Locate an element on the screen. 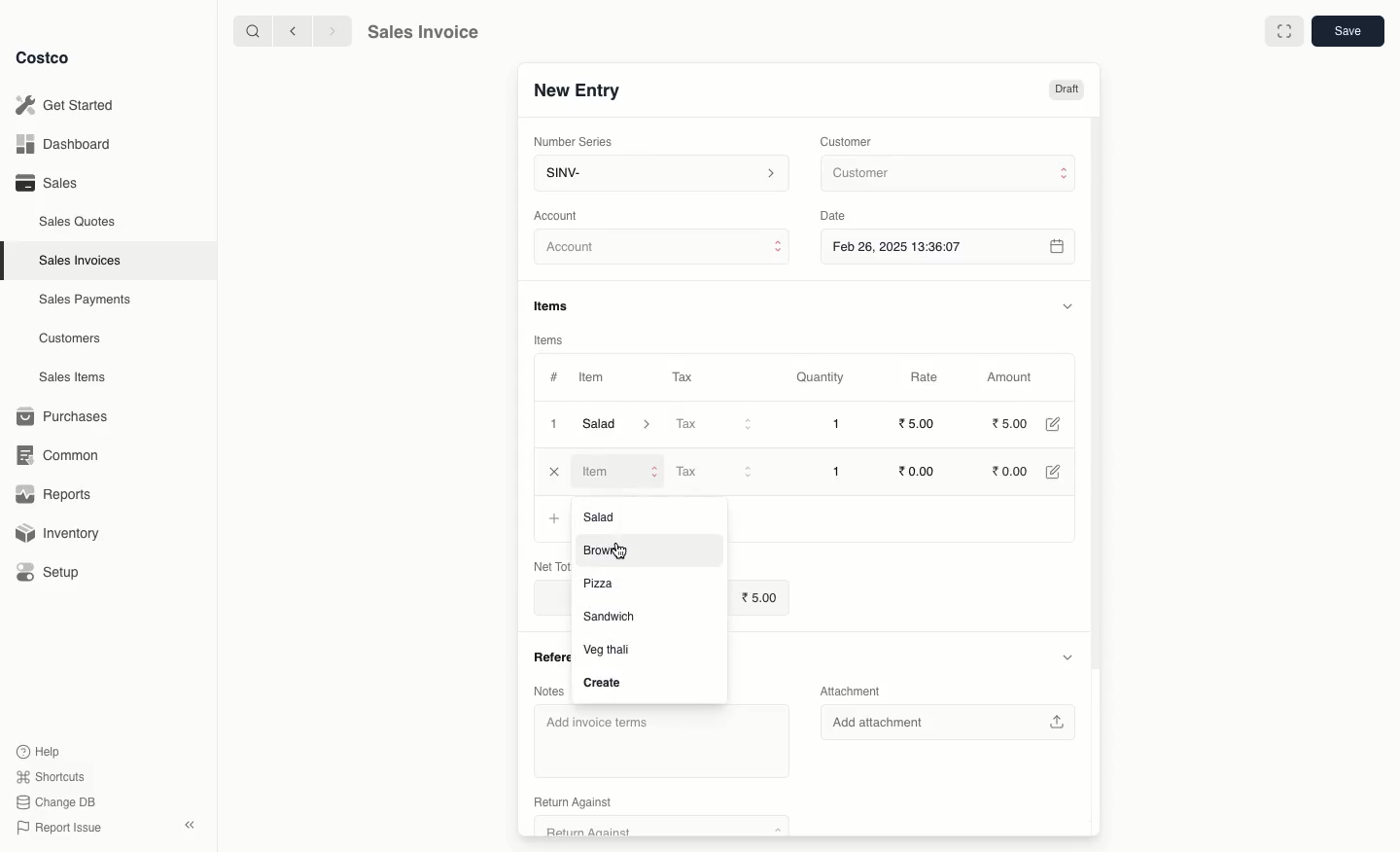 This screenshot has height=852, width=1400. # is located at coordinates (554, 375).